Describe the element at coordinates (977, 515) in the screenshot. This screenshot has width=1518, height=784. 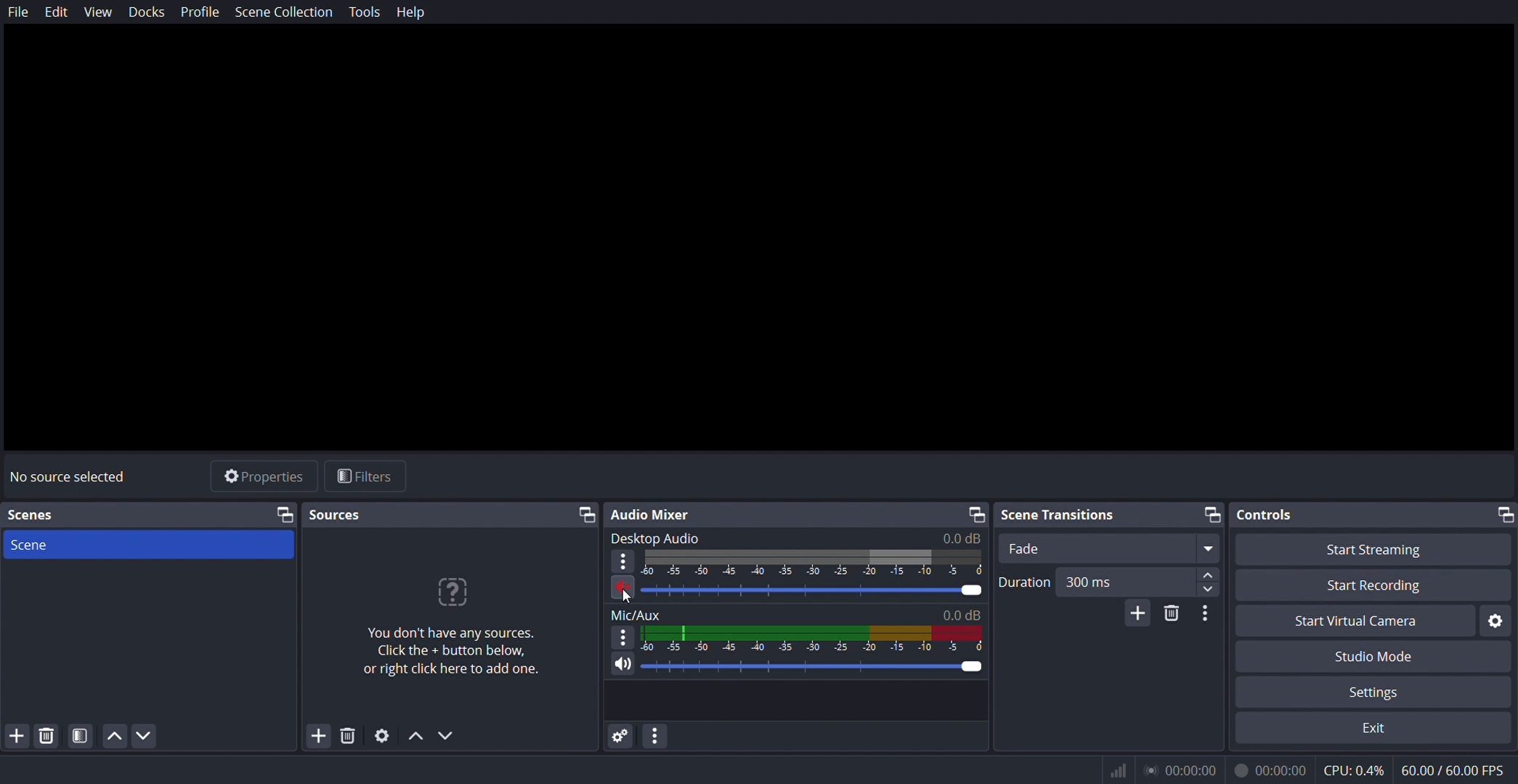
I see `restore` at that location.